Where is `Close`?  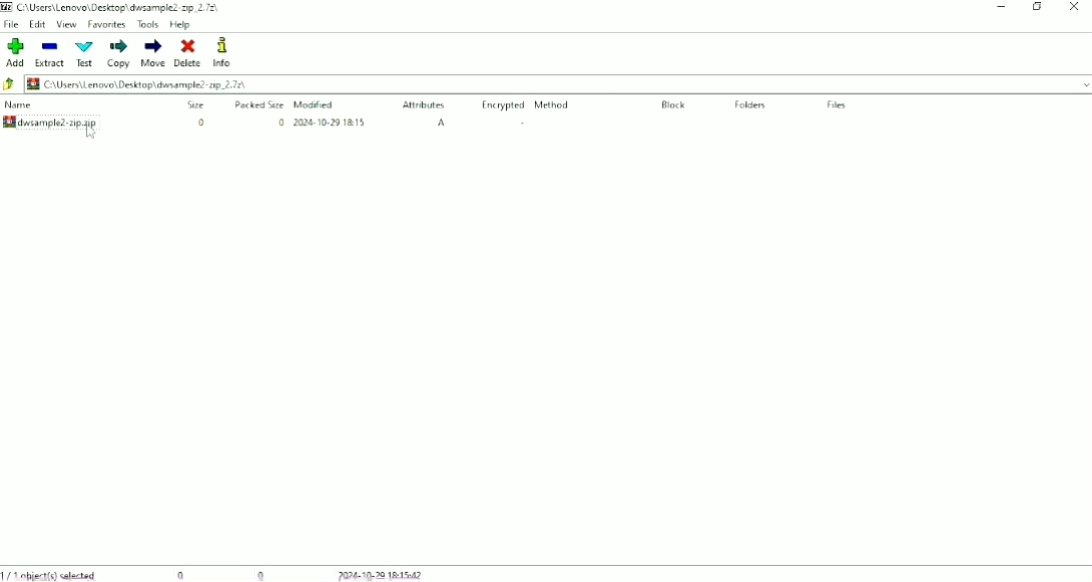
Close is located at coordinates (1074, 7).